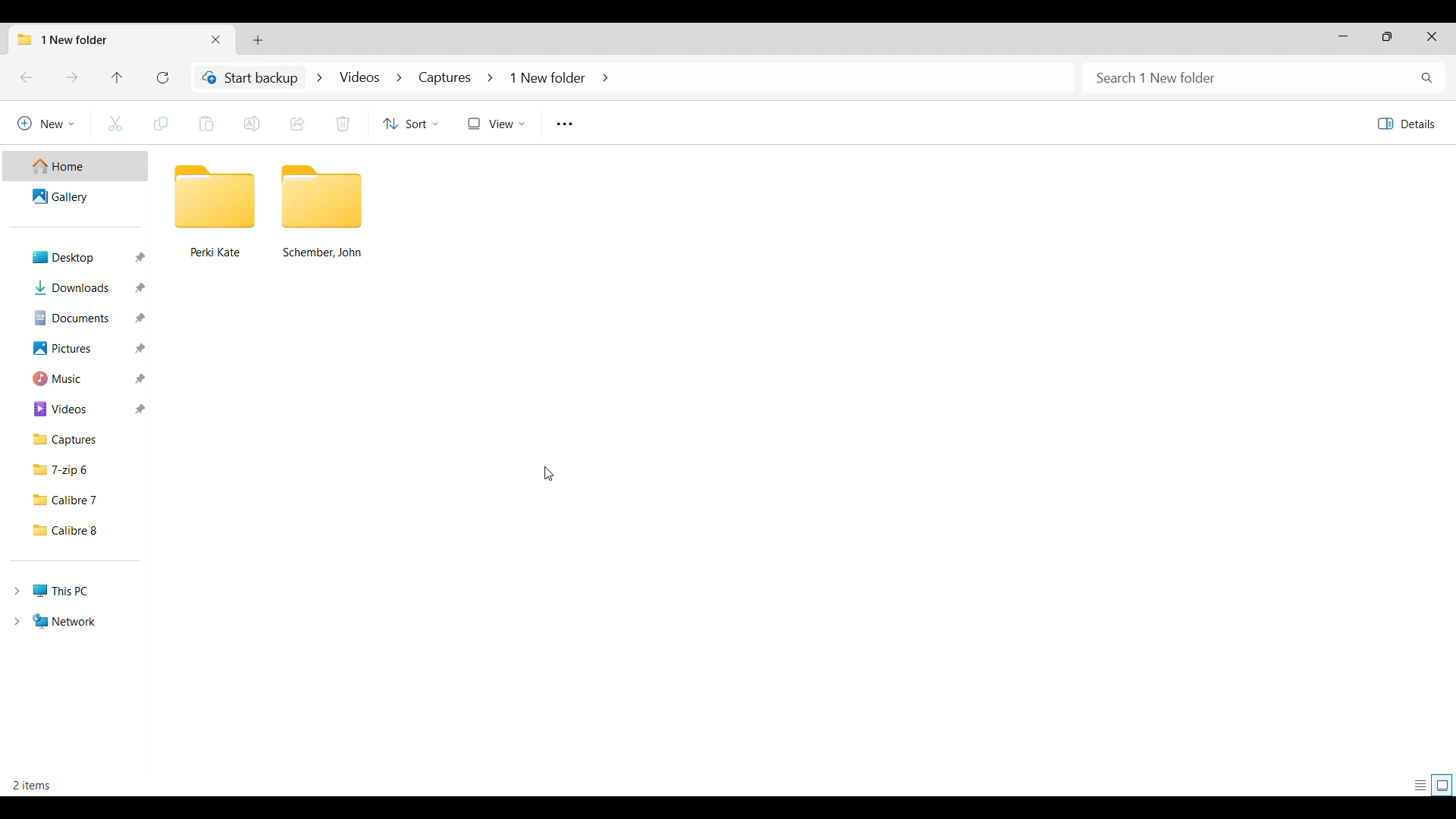  Describe the element at coordinates (78, 500) in the screenshot. I see `Calibre 7 folder` at that location.